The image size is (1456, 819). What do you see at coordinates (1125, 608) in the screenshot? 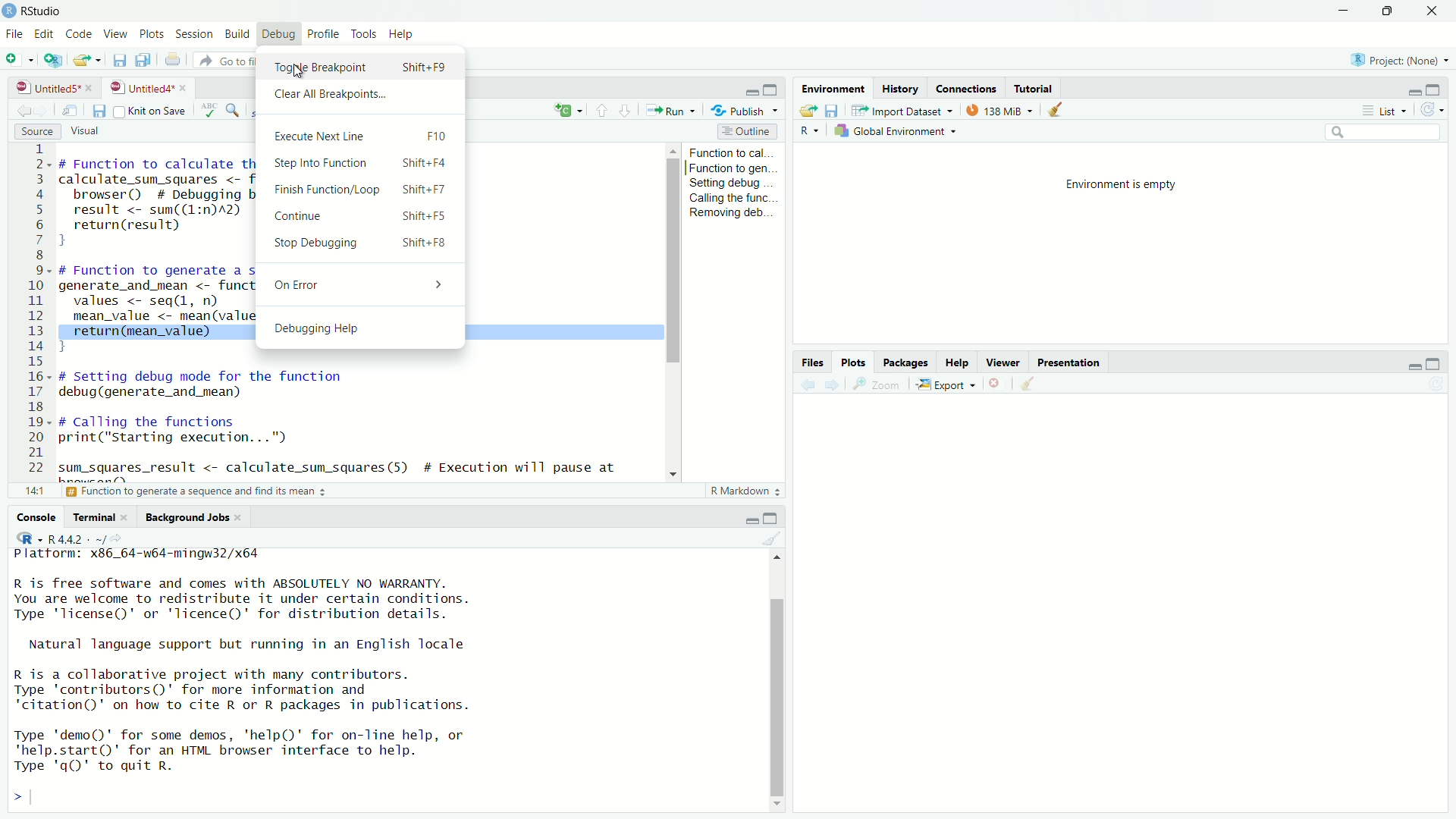
I see `empty plot area` at bounding box center [1125, 608].